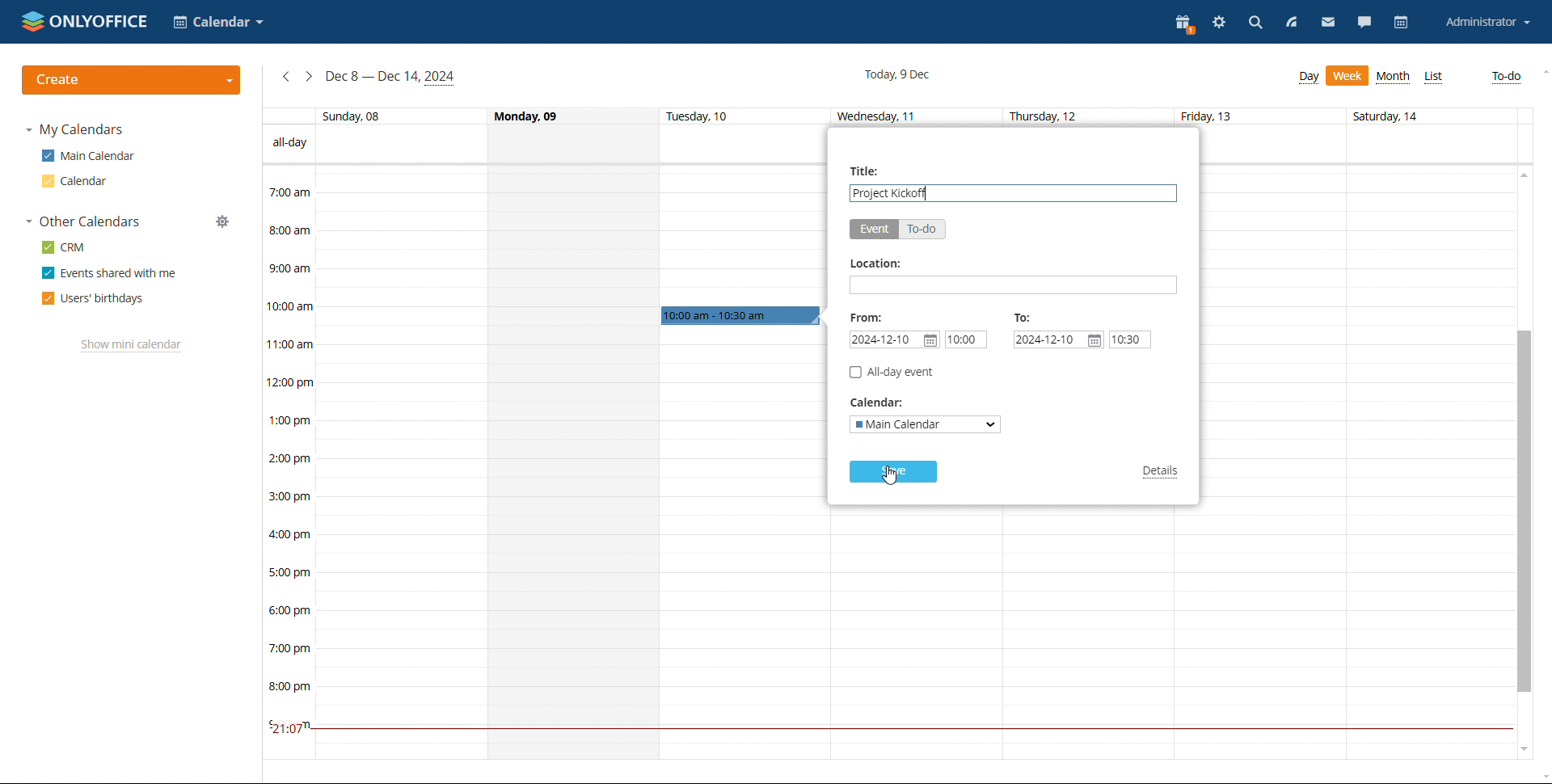  Describe the element at coordinates (286, 77) in the screenshot. I see `previous week` at that location.